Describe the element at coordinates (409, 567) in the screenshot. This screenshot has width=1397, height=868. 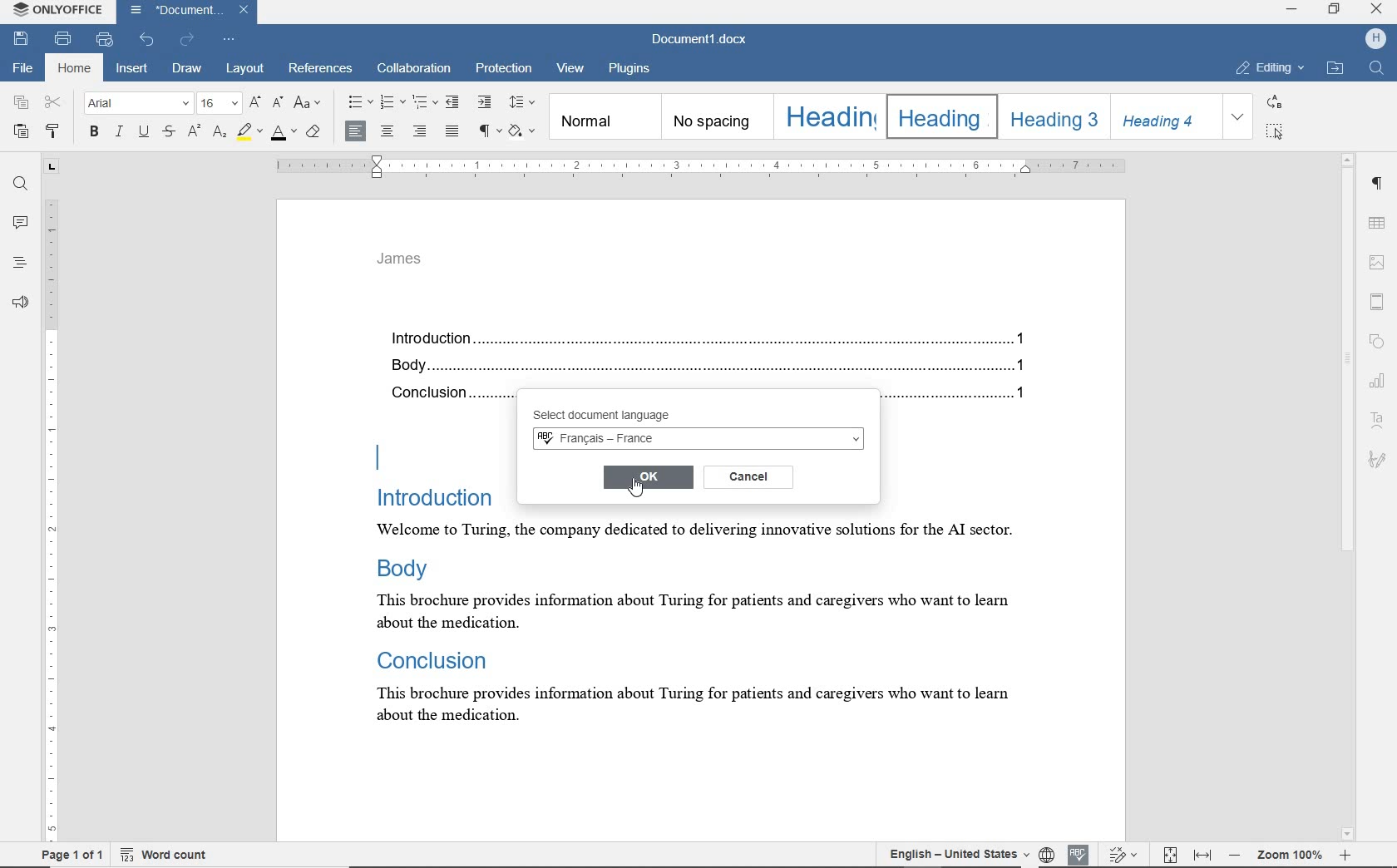
I see `body` at that location.